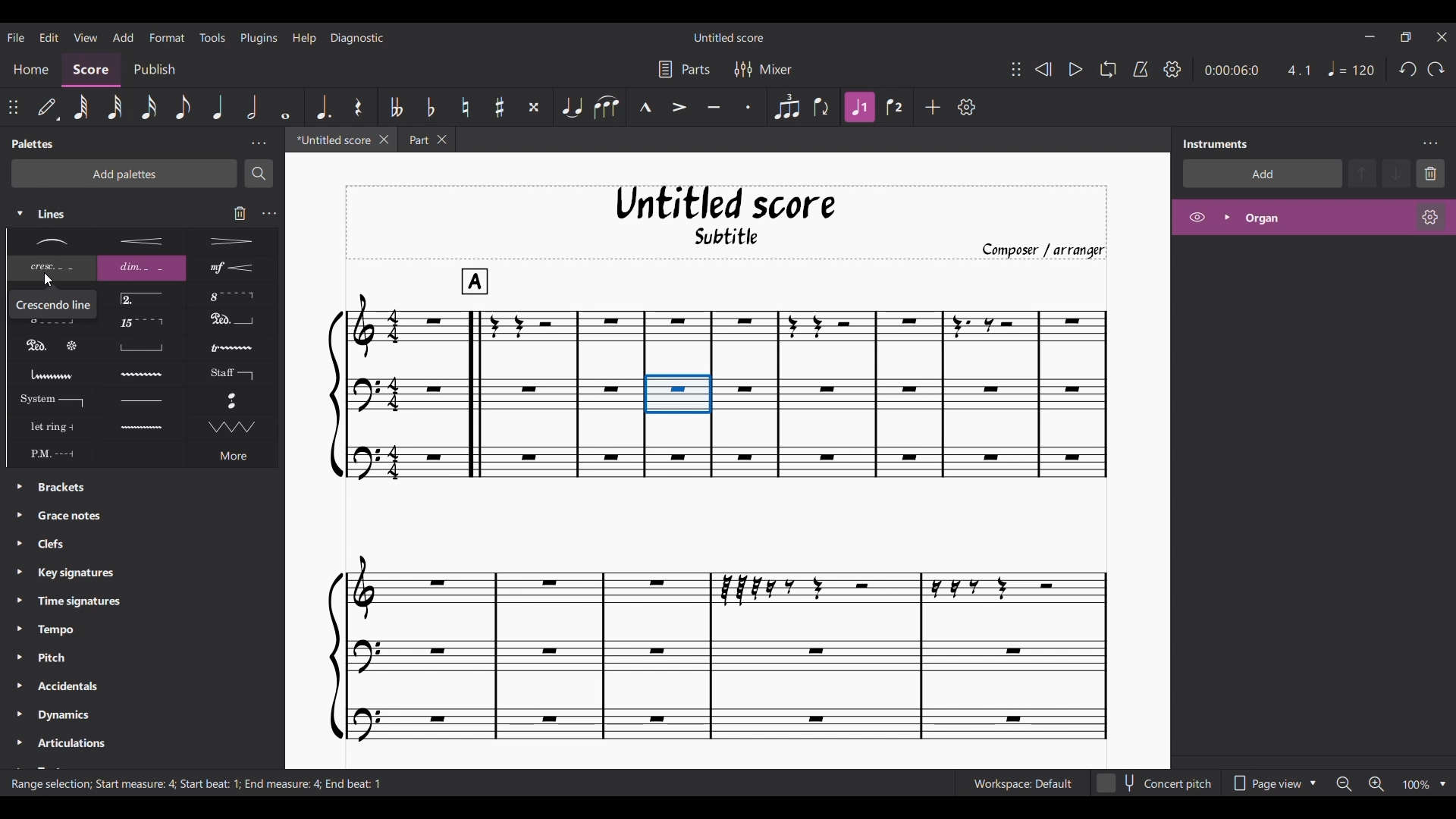 This screenshot has height=819, width=1456. What do you see at coordinates (860, 108) in the screenshot?
I see `Highlighted after current selection` at bounding box center [860, 108].